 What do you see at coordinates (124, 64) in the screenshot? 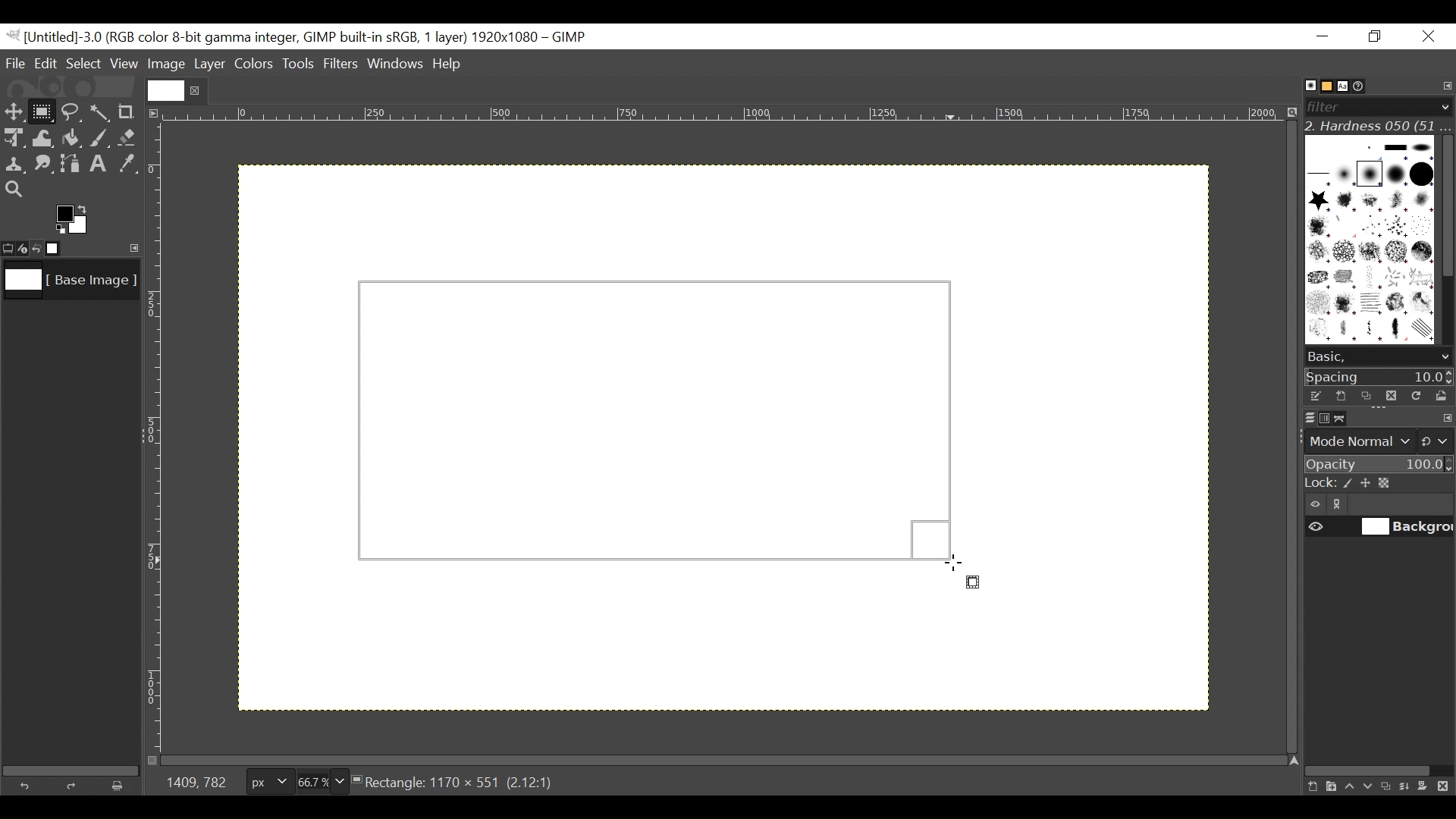
I see `View` at bounding box center [124, 64].